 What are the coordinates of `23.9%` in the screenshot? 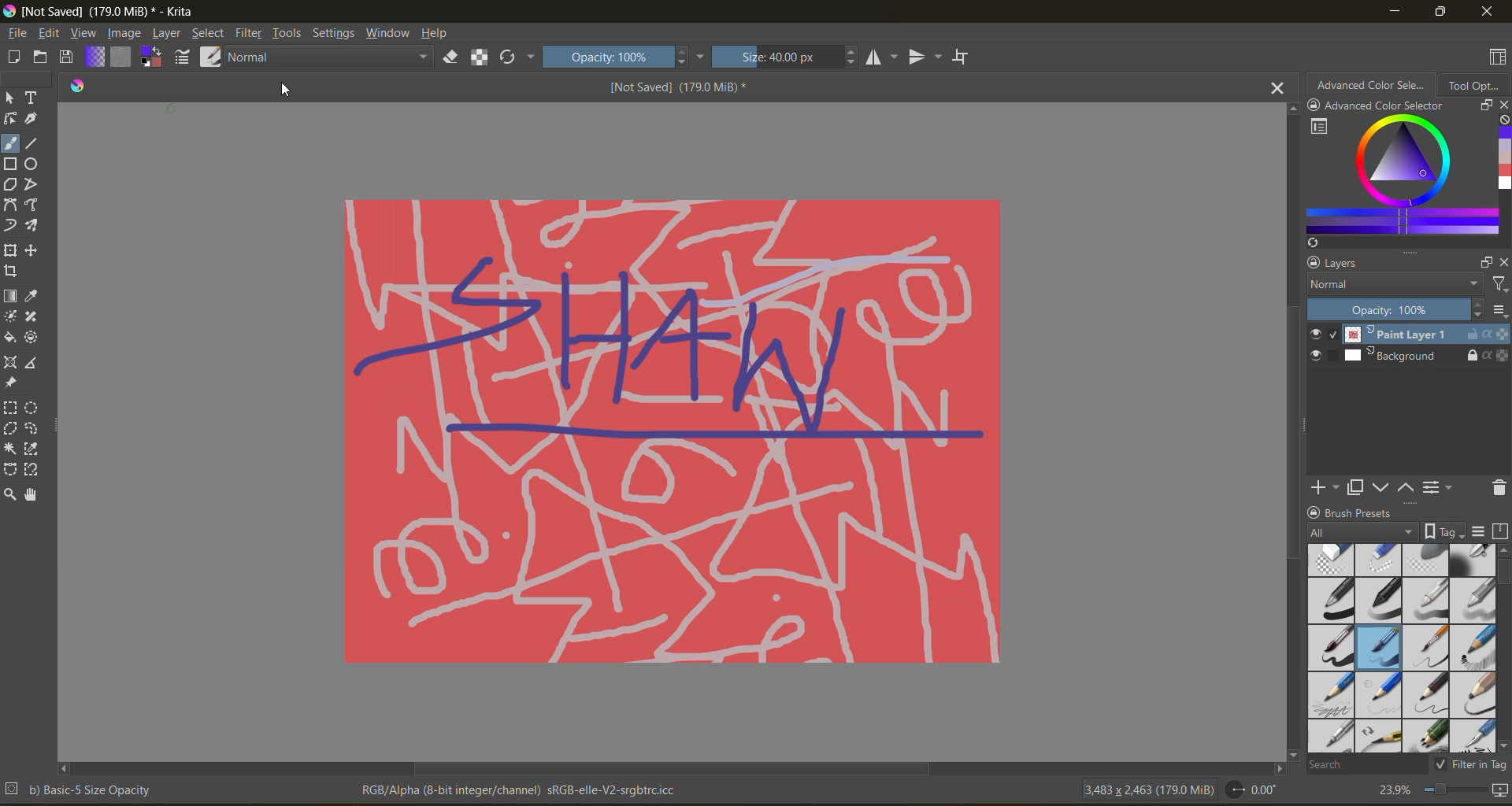 It's located at (1393, 790).